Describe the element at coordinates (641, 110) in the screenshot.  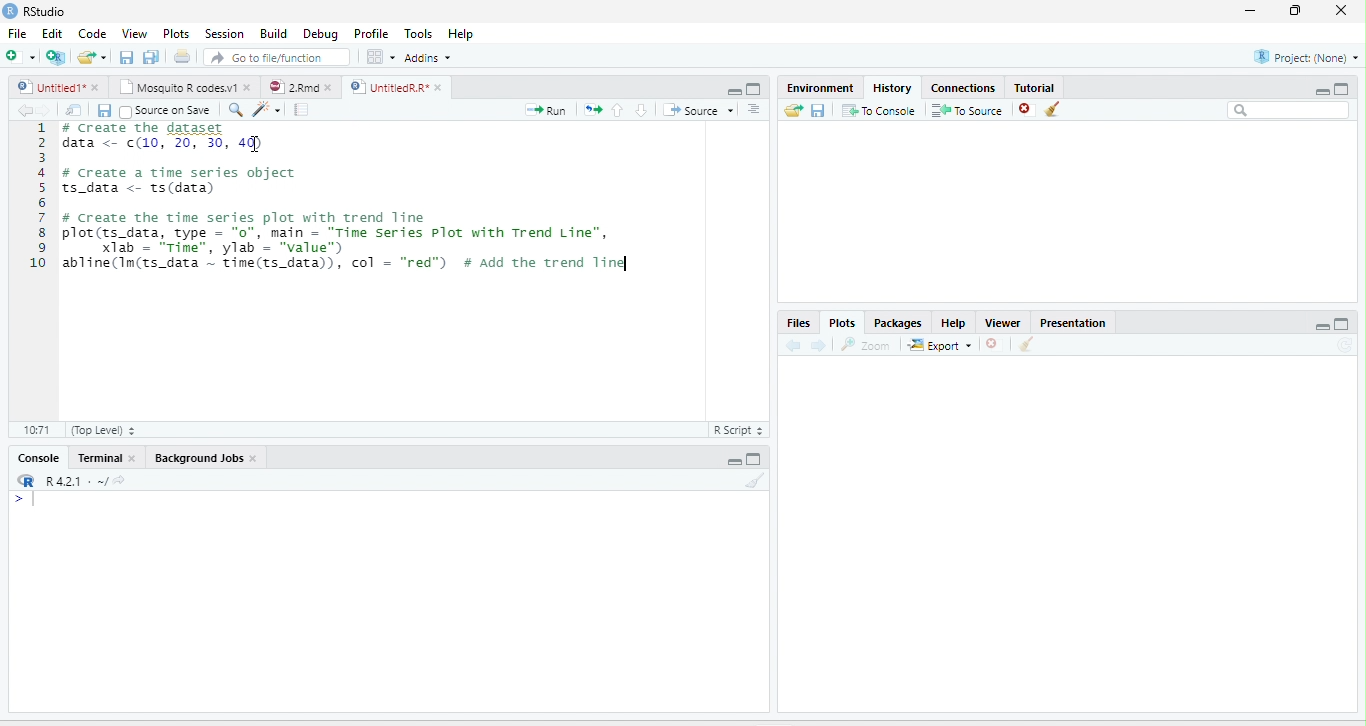
I see `Go to next section/chunk` at that location.